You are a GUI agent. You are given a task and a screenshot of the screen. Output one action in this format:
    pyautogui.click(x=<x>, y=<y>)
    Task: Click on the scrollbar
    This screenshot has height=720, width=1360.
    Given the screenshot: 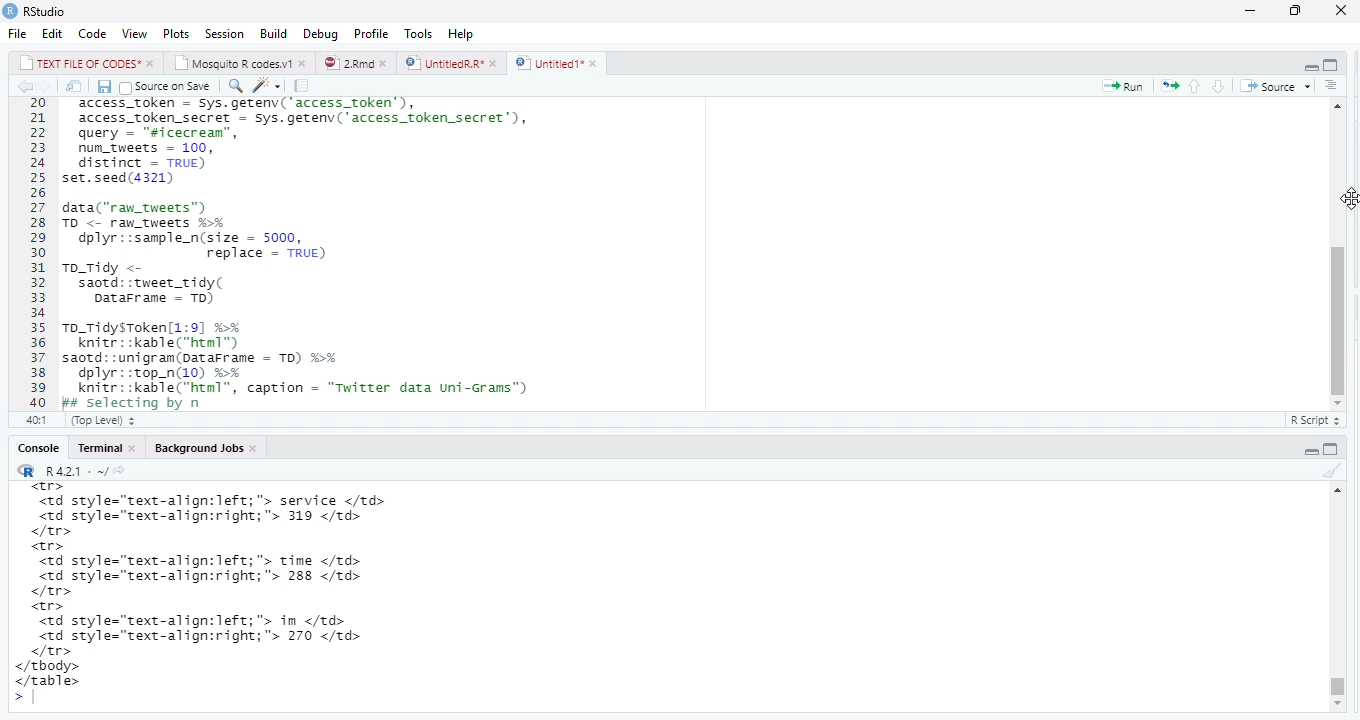 What is the action you would take?
    pyautogui.click(x=1338, y=255)
    